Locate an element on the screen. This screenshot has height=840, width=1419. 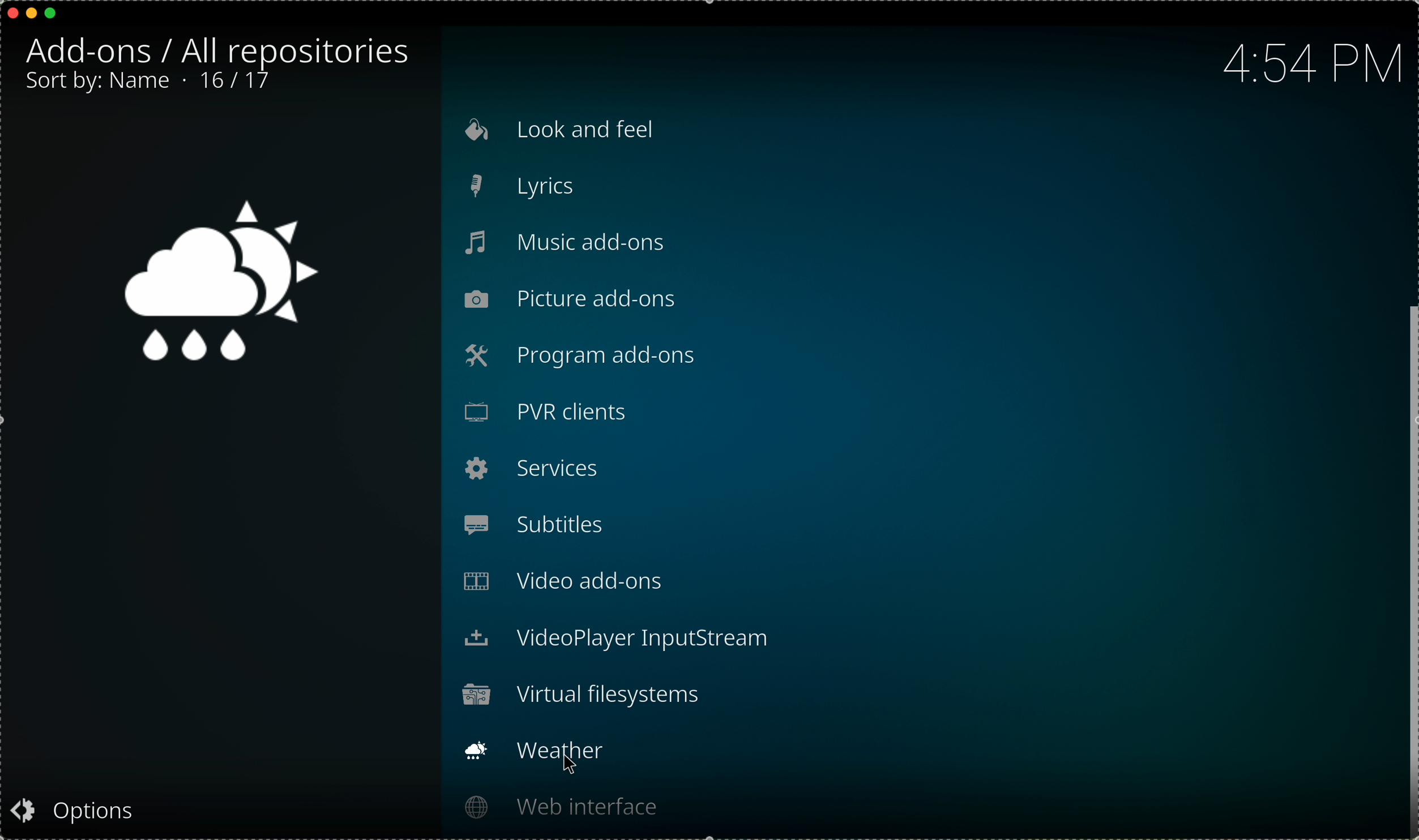
weather icon is located at coordinates (208, 283).